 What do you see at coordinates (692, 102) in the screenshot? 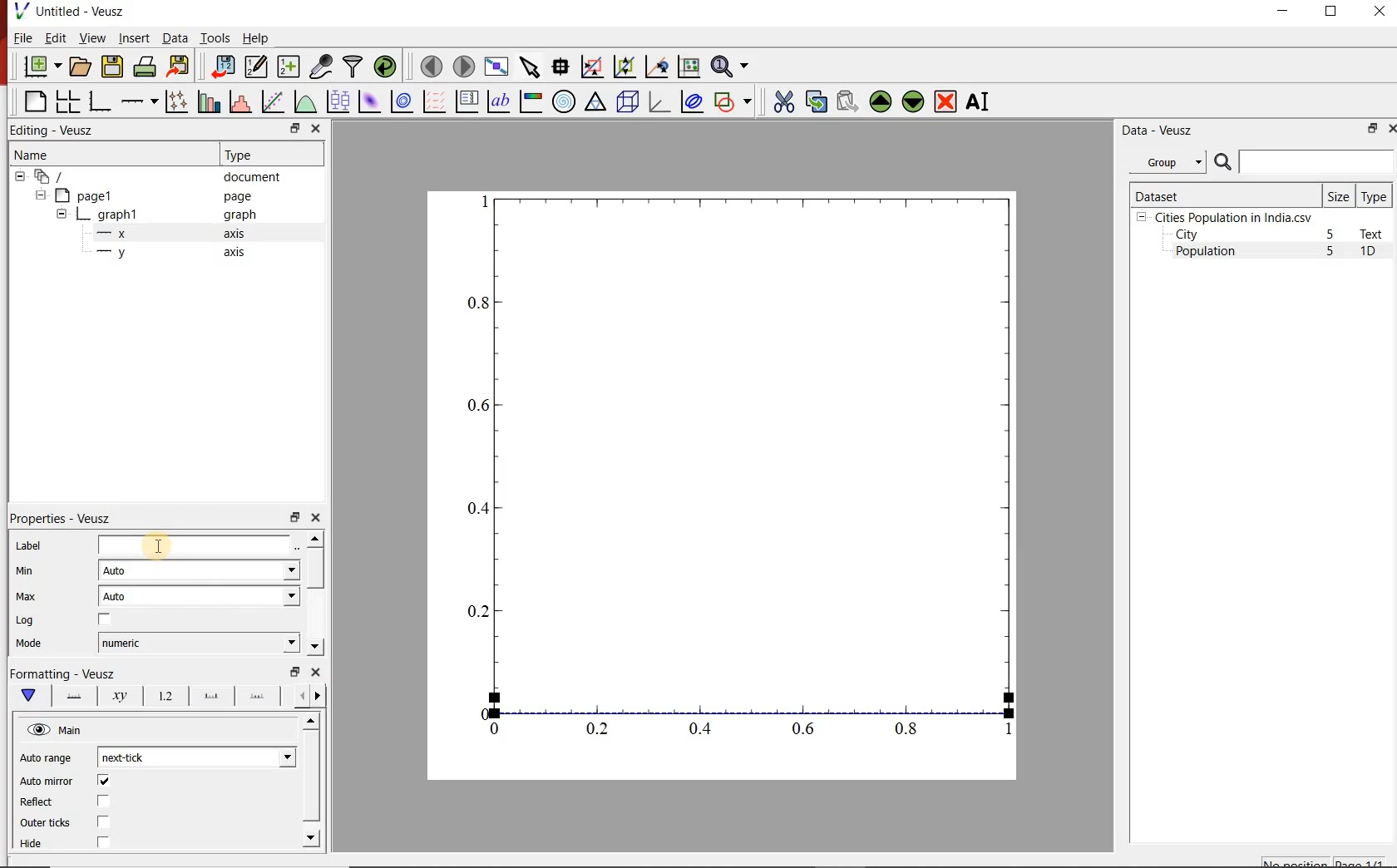
I see `plot covariance ellipses` at bounding box center [692, 102].